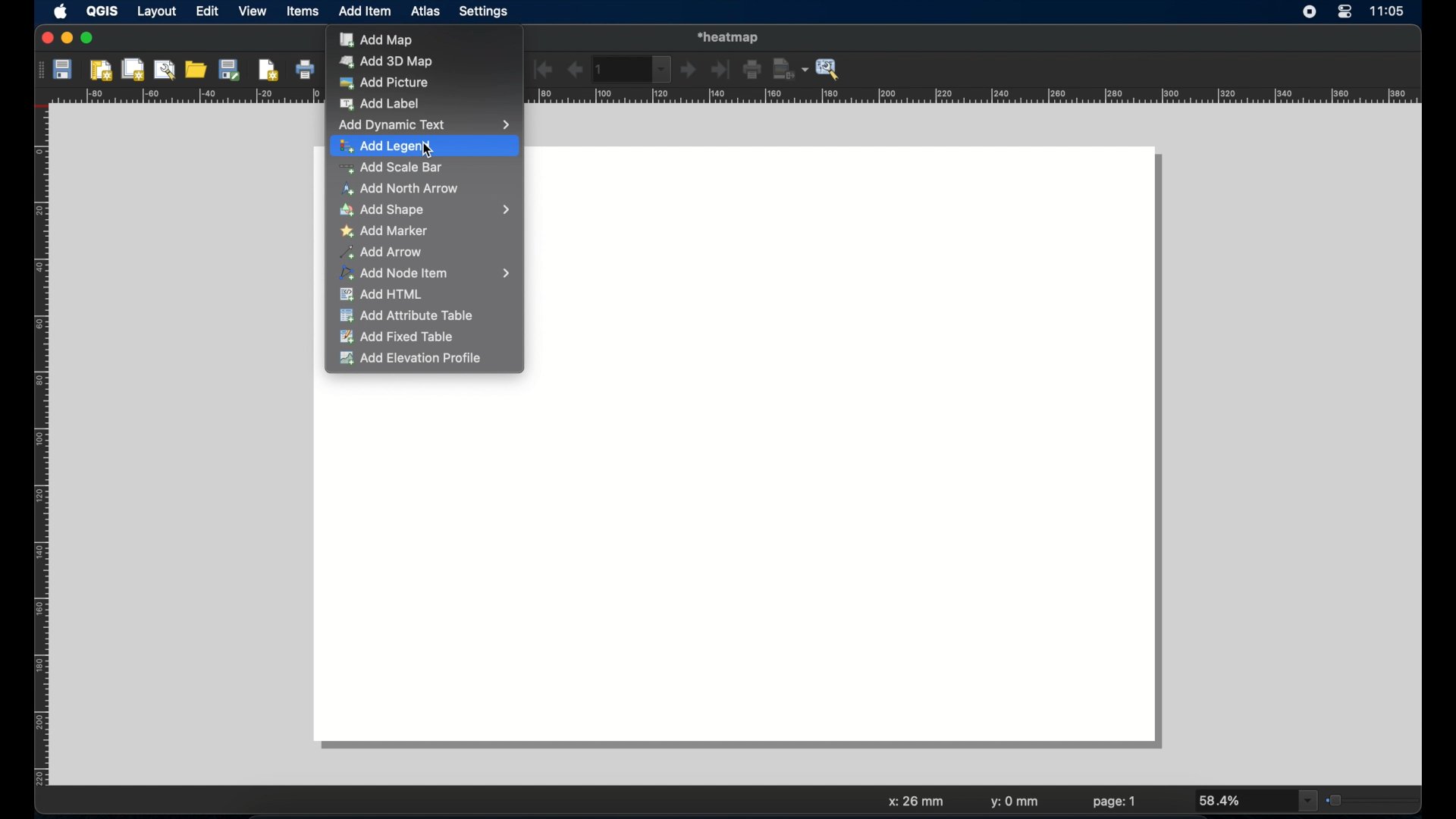 The height and width of the screenshot is (819, 1456). Describe the element at coordinates (723, 71) in the screenshot. I see `last image` at that location.